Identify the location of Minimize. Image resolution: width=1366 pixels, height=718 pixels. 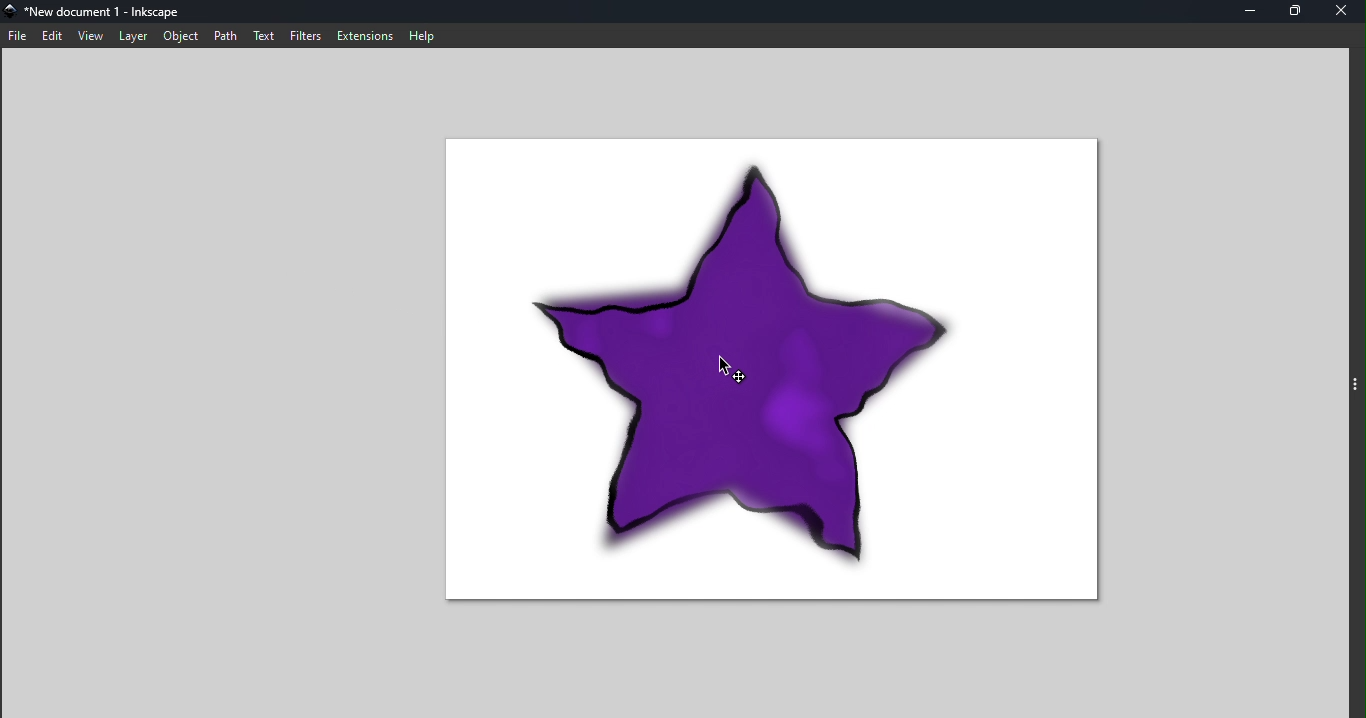
(1248, 11).